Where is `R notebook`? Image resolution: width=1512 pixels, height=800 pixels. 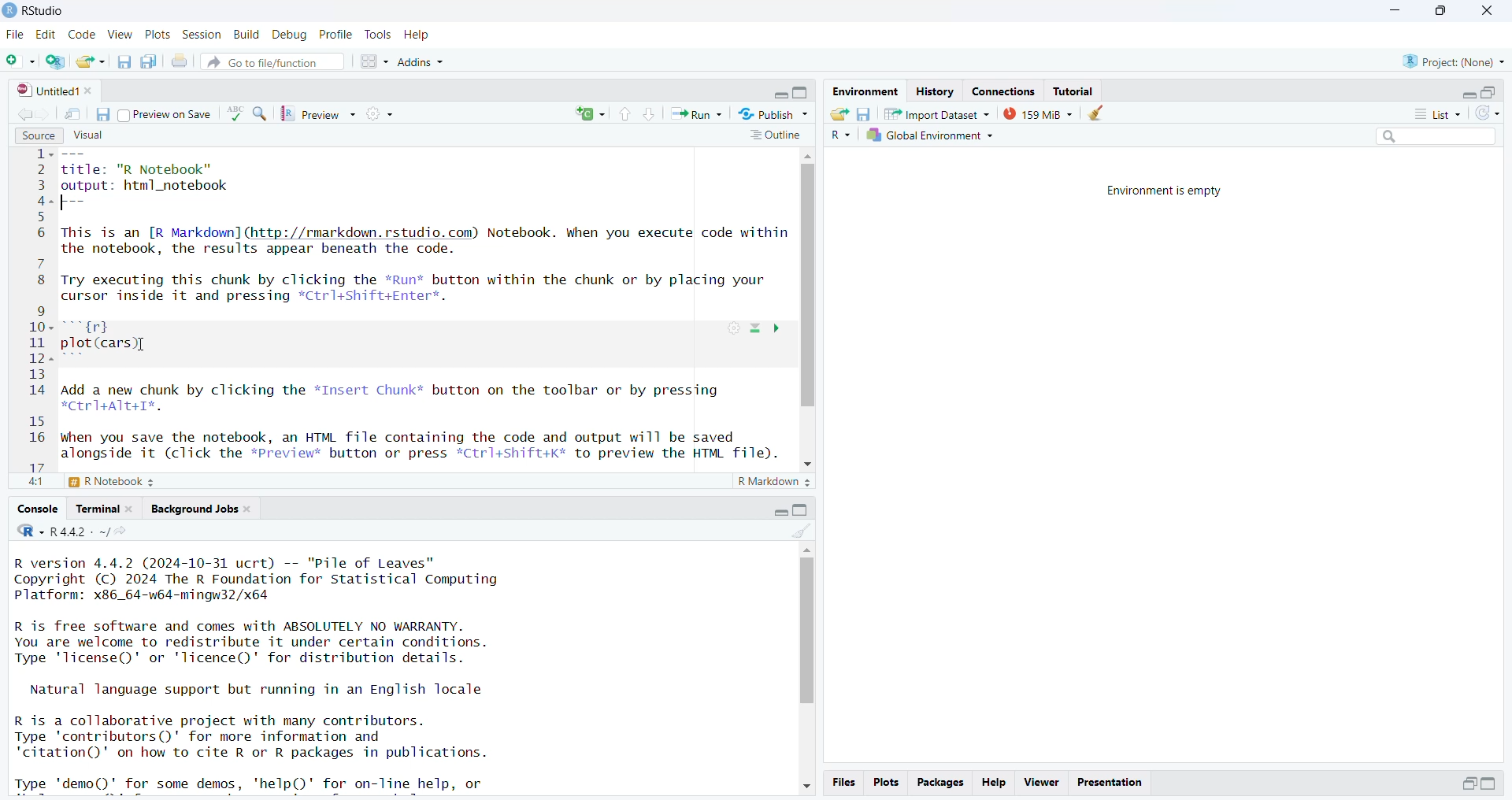 R notebook is located at coordinates (112, 480).